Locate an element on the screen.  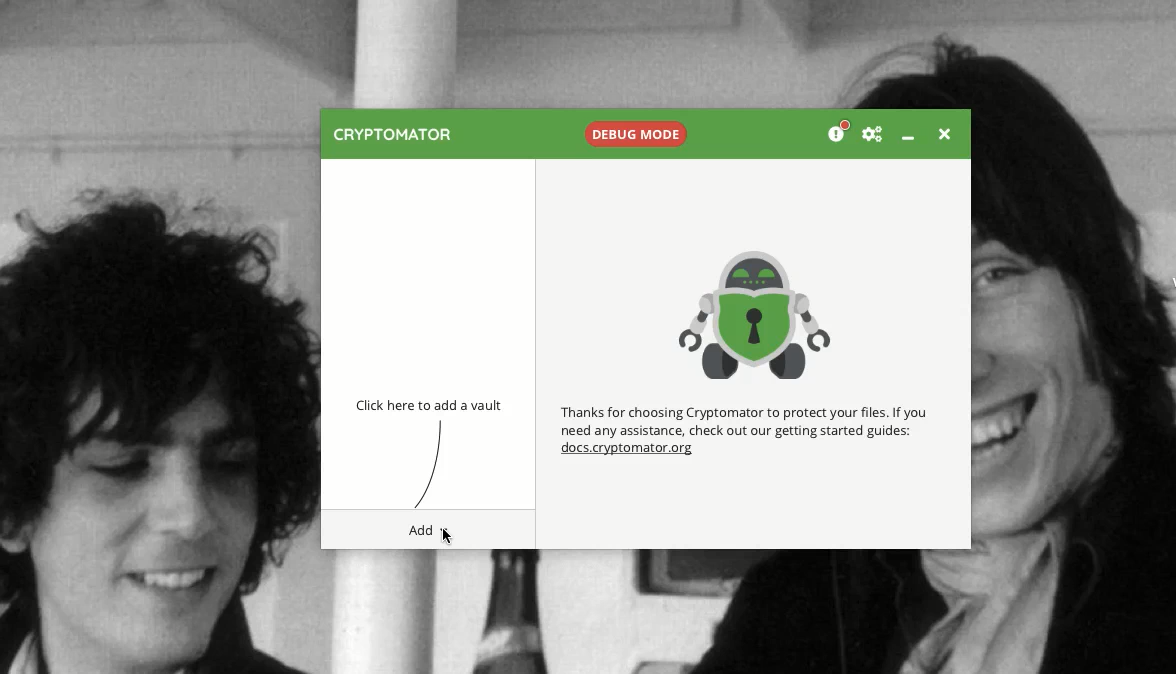
Close is located at coordinates (944, 136).